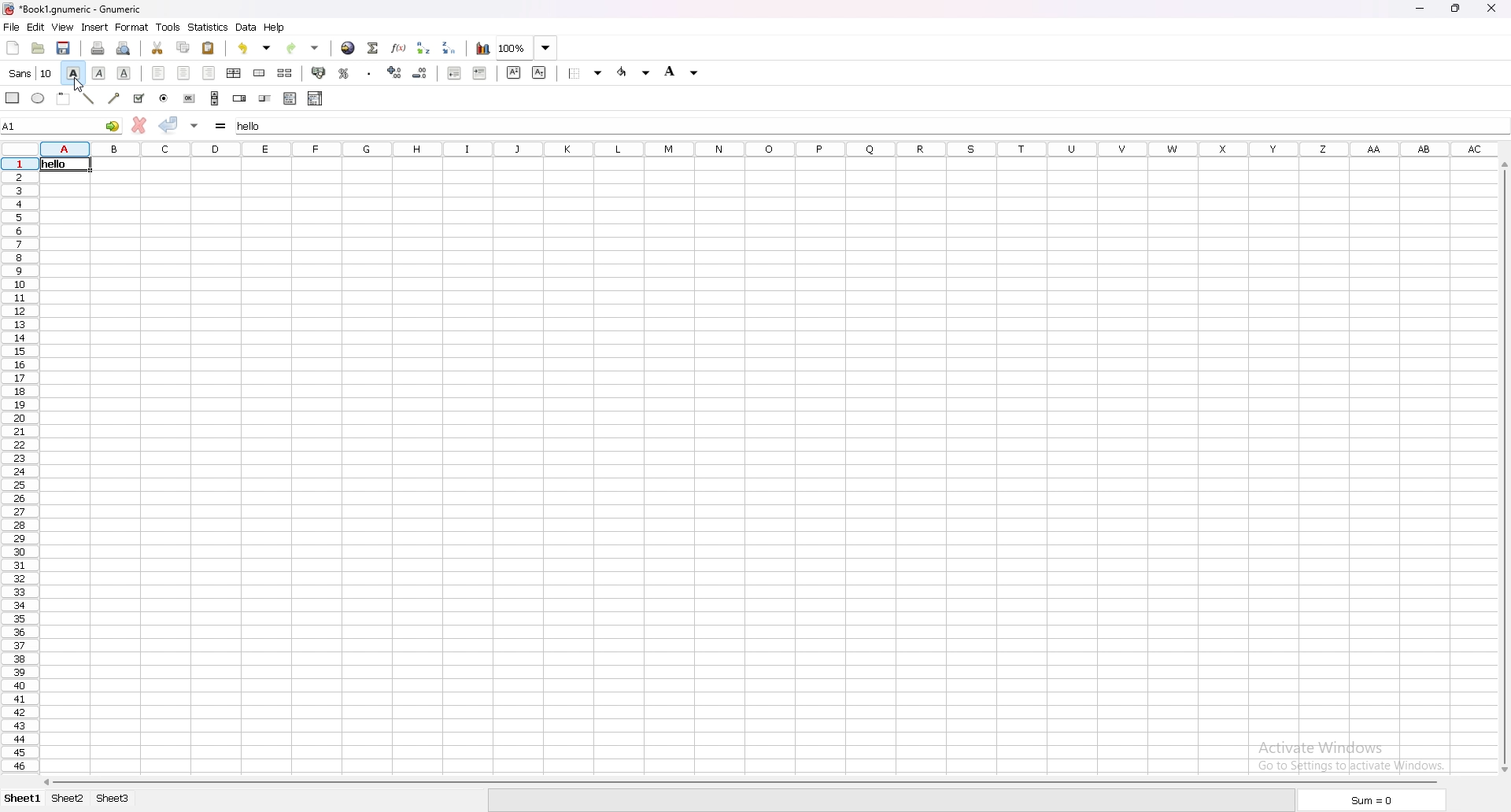 The image size is (1511, 812). I want to click on accept change, so click(170, 124).